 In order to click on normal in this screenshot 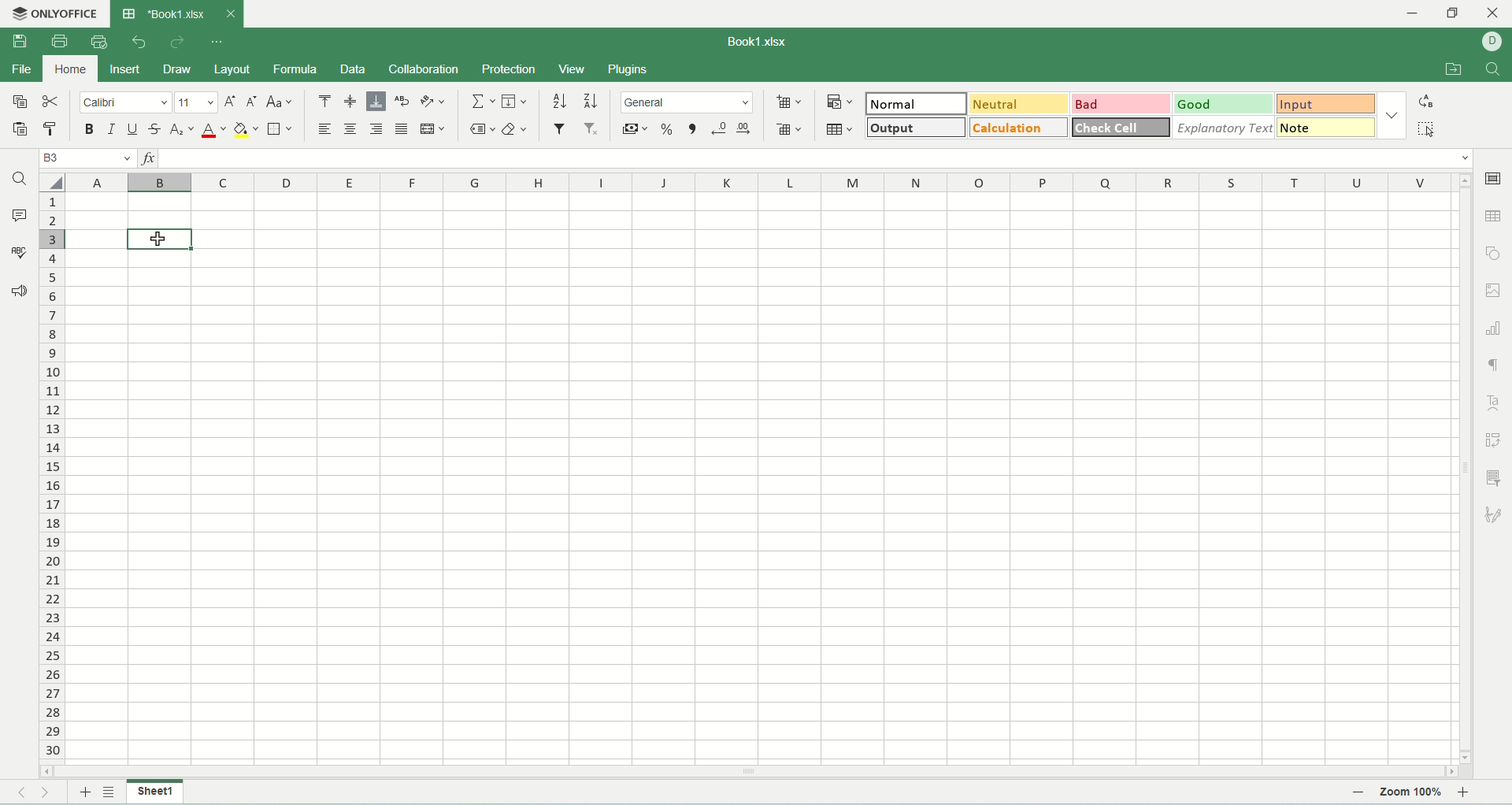, I will do `click(918, 103)`.